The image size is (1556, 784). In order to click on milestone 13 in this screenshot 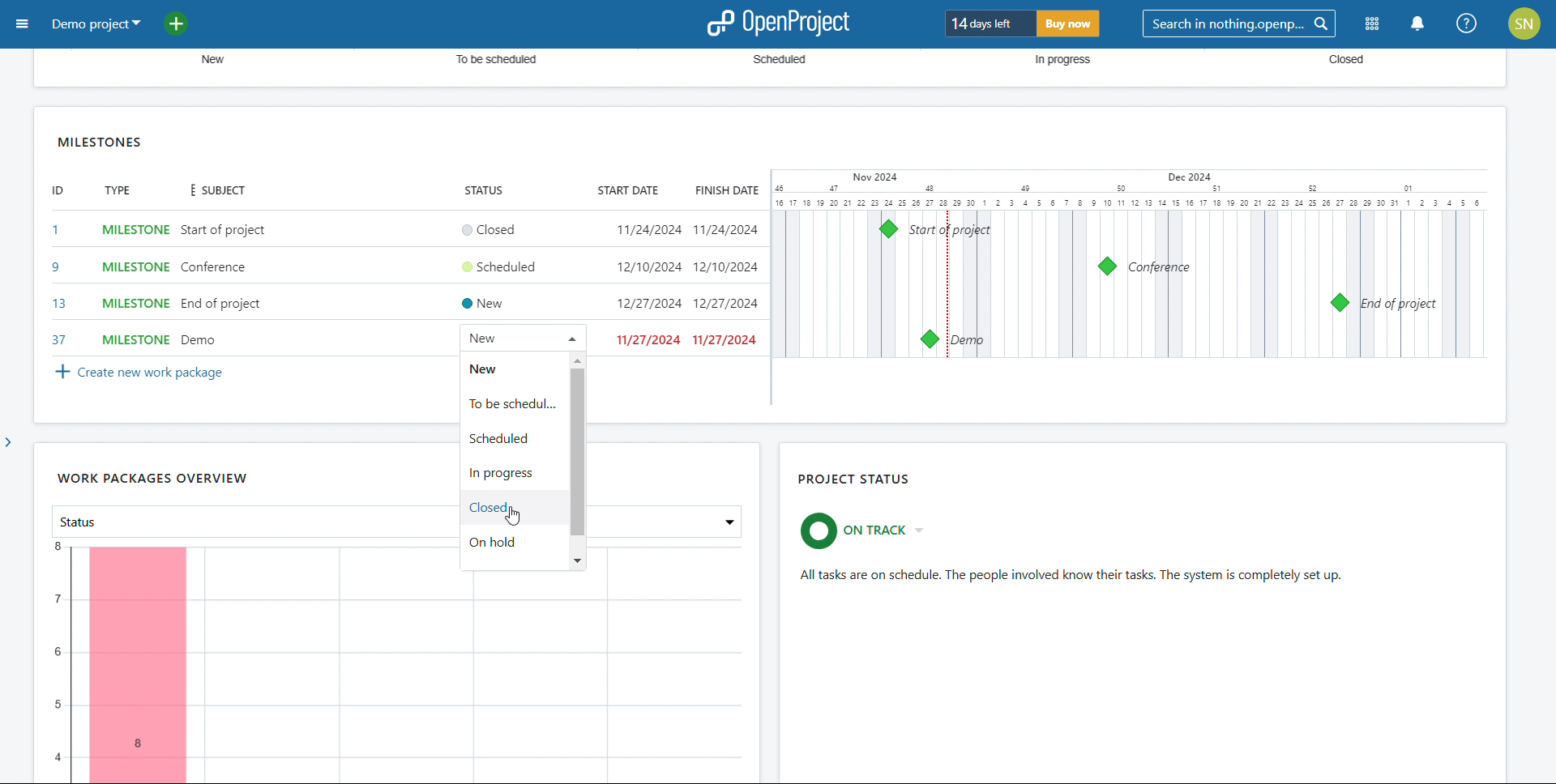, I will do `click(1341, 301)`.